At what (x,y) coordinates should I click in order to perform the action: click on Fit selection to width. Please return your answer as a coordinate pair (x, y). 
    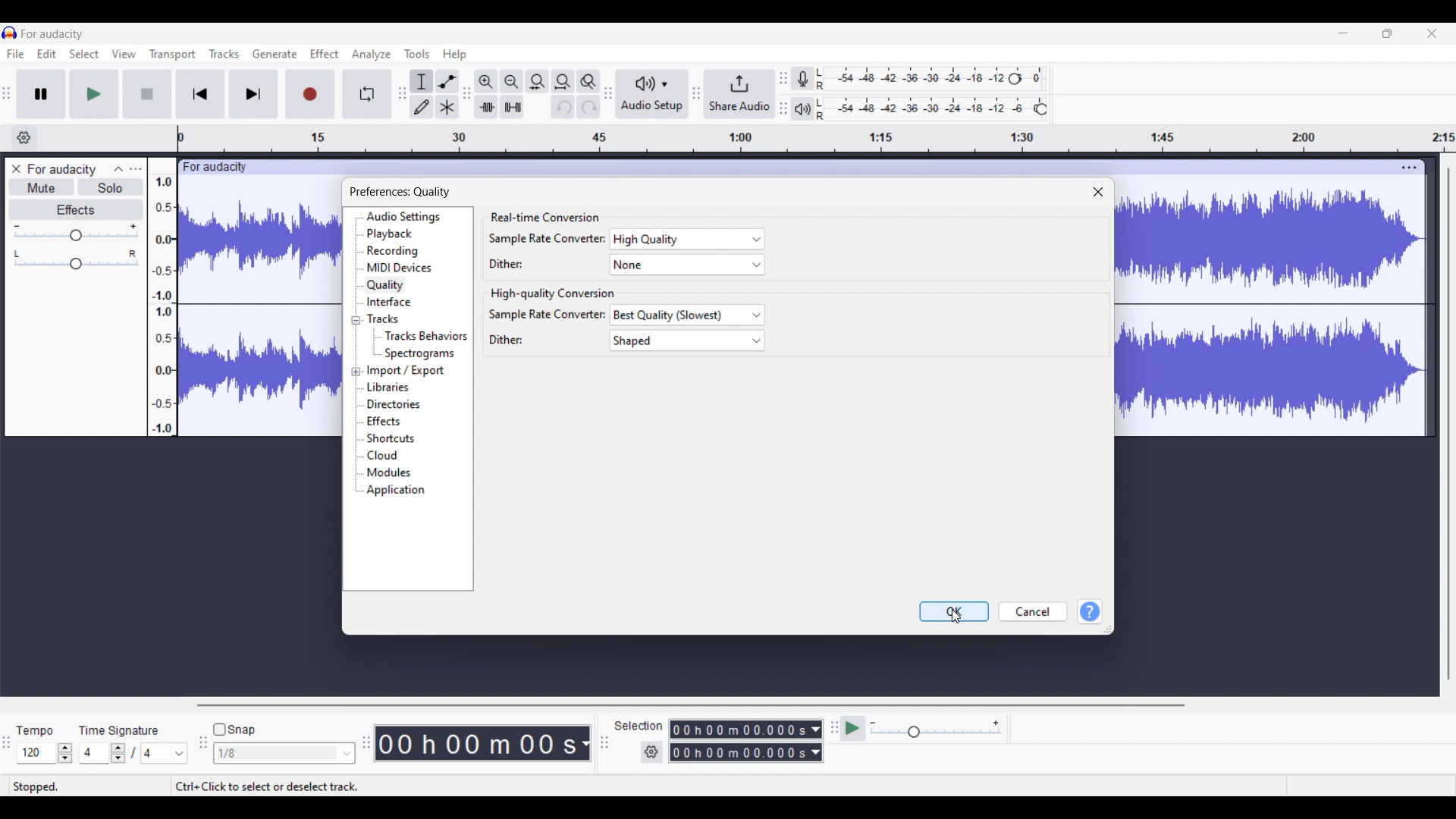
    Looking at the image, I should click on (537, 81).